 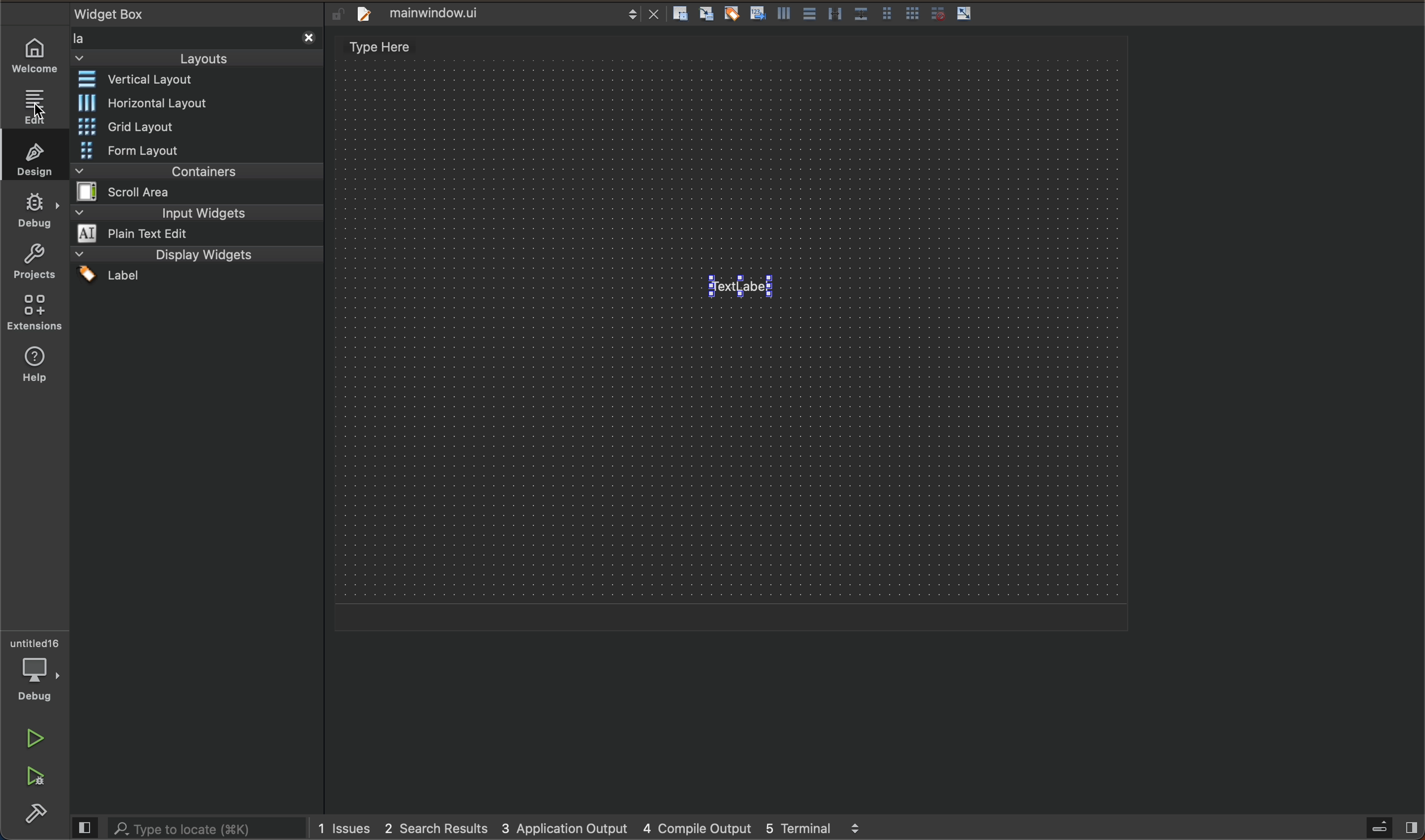 What do you see at coordinates (36, 114) in the screenshot?
I see `cursor` at bounding box center [36, 114].